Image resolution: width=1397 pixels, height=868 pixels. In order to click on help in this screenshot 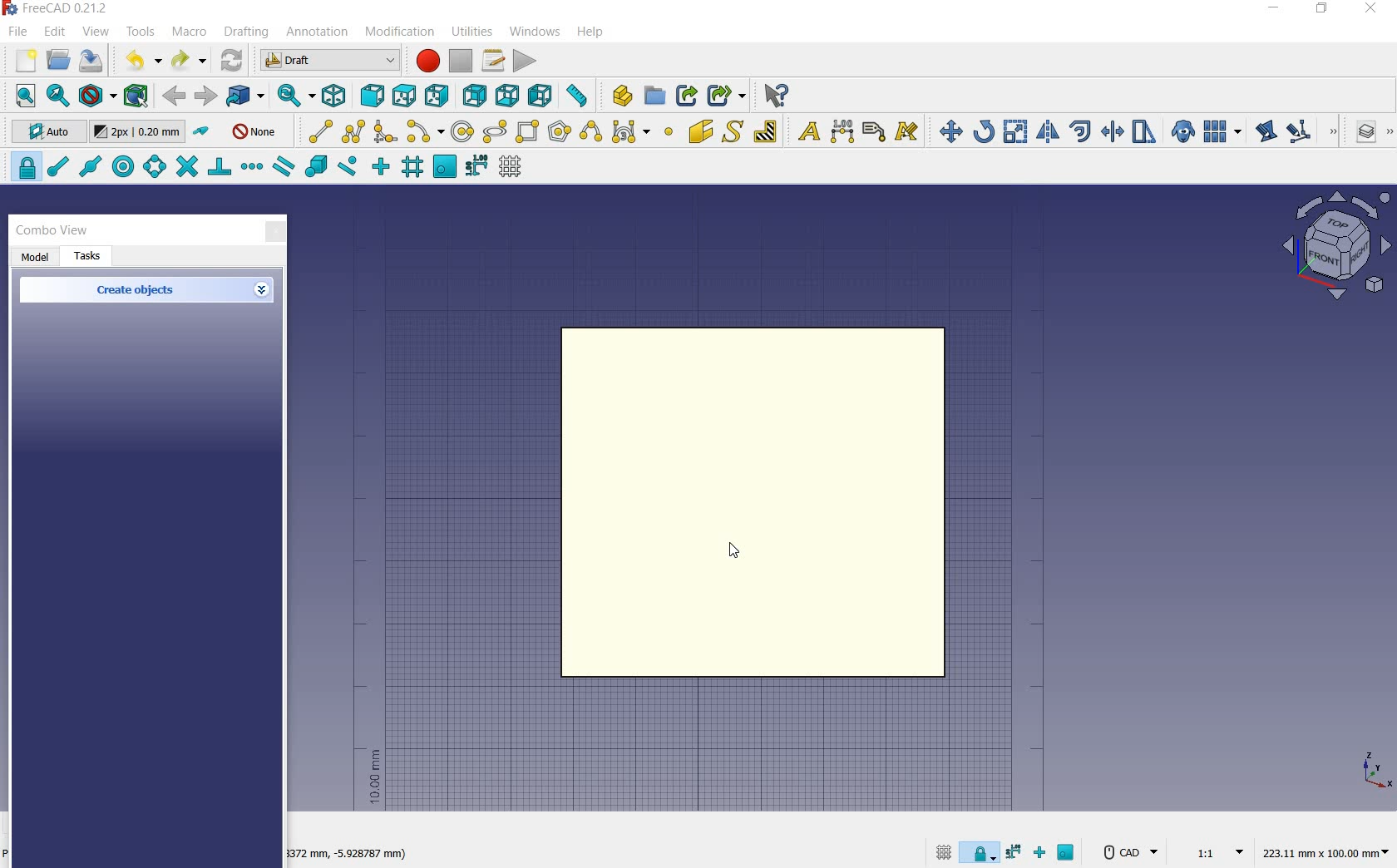, I will do `click(590, 32)`.